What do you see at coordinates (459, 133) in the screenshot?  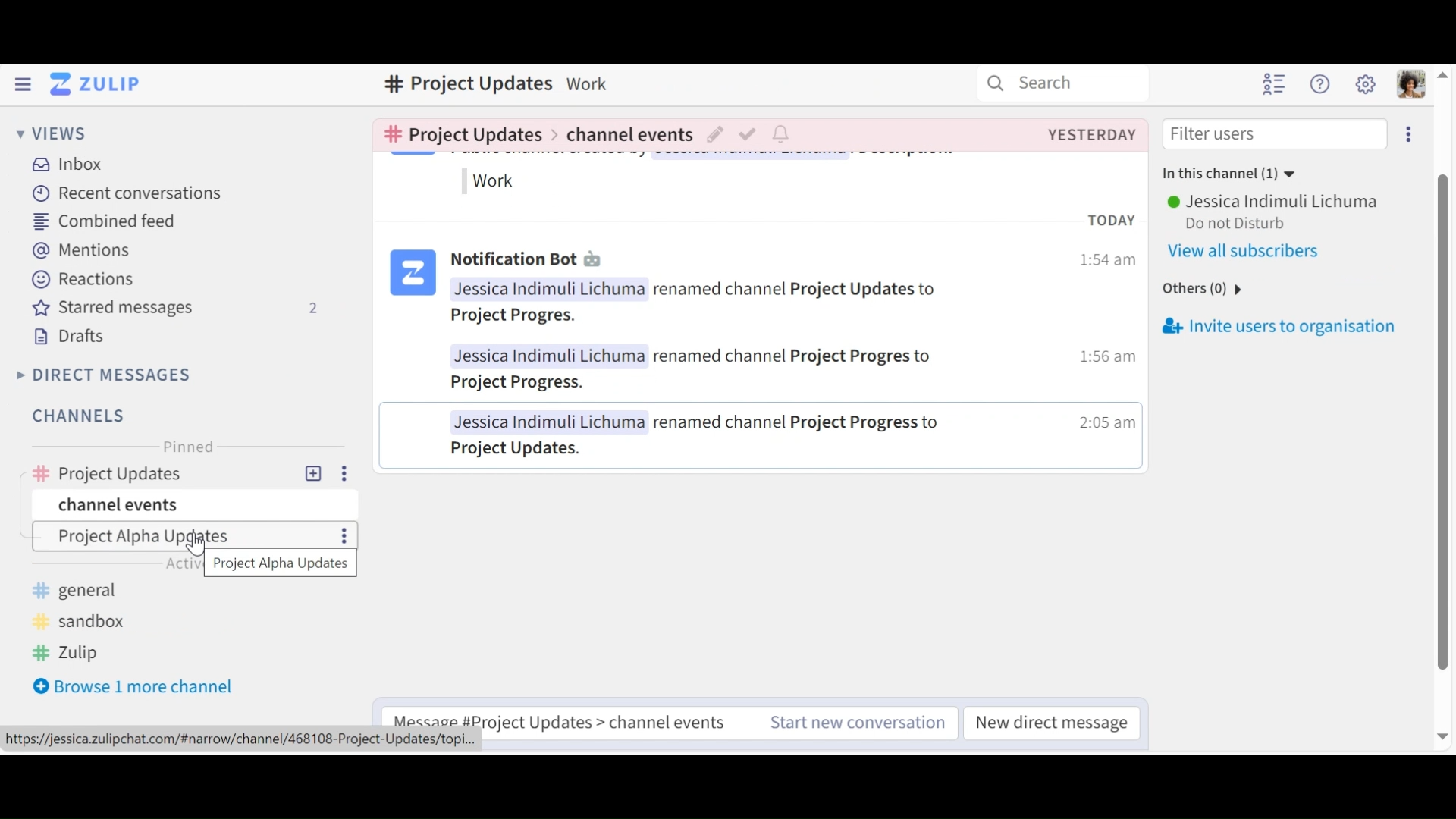 I see `Go to channel` at bounding box center [459, 133].